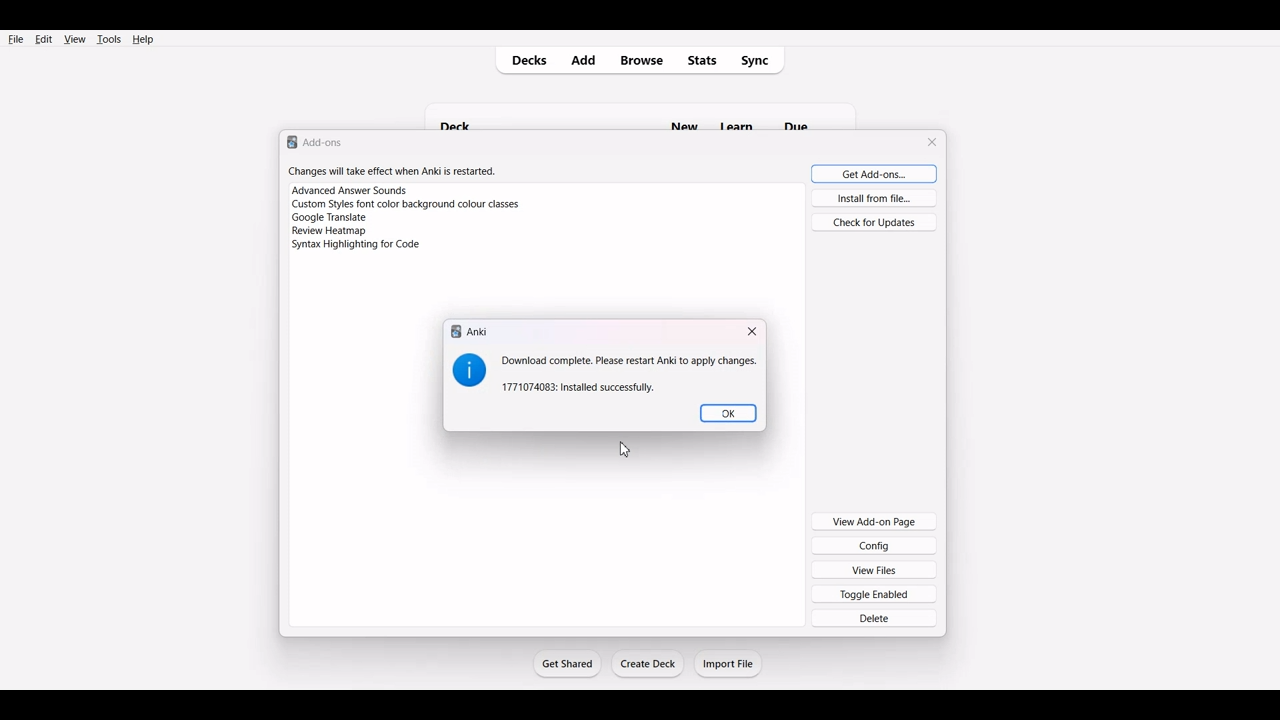  What do you see at coordinates (649, 664) in the screenshot?
I see `Create Deck` at bounding box center [649, 664].